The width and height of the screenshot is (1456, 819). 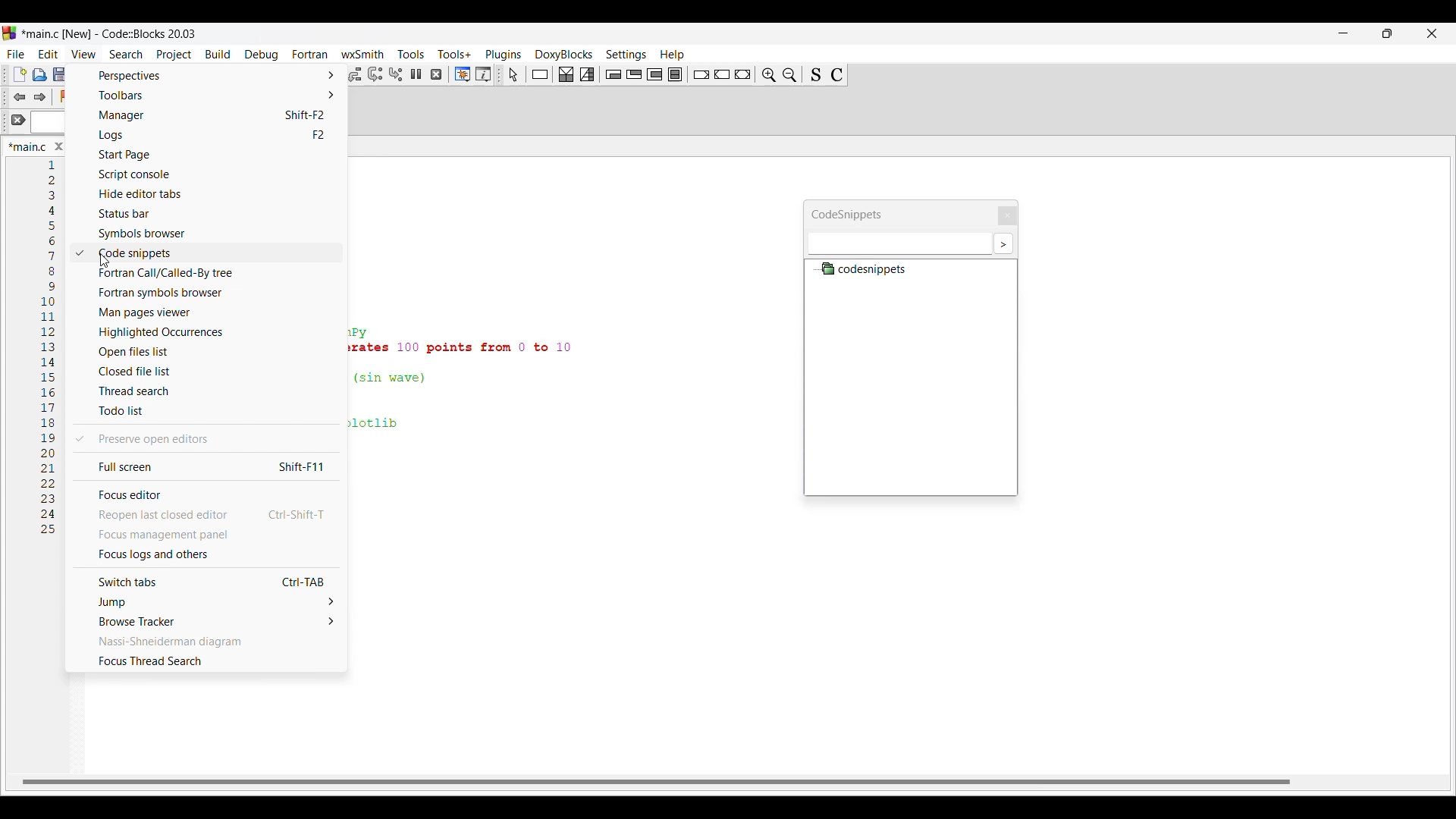 What do you see at coordinates (83, 55) in the screenshot?
I see `View menu` at bounding box center [83, 55].